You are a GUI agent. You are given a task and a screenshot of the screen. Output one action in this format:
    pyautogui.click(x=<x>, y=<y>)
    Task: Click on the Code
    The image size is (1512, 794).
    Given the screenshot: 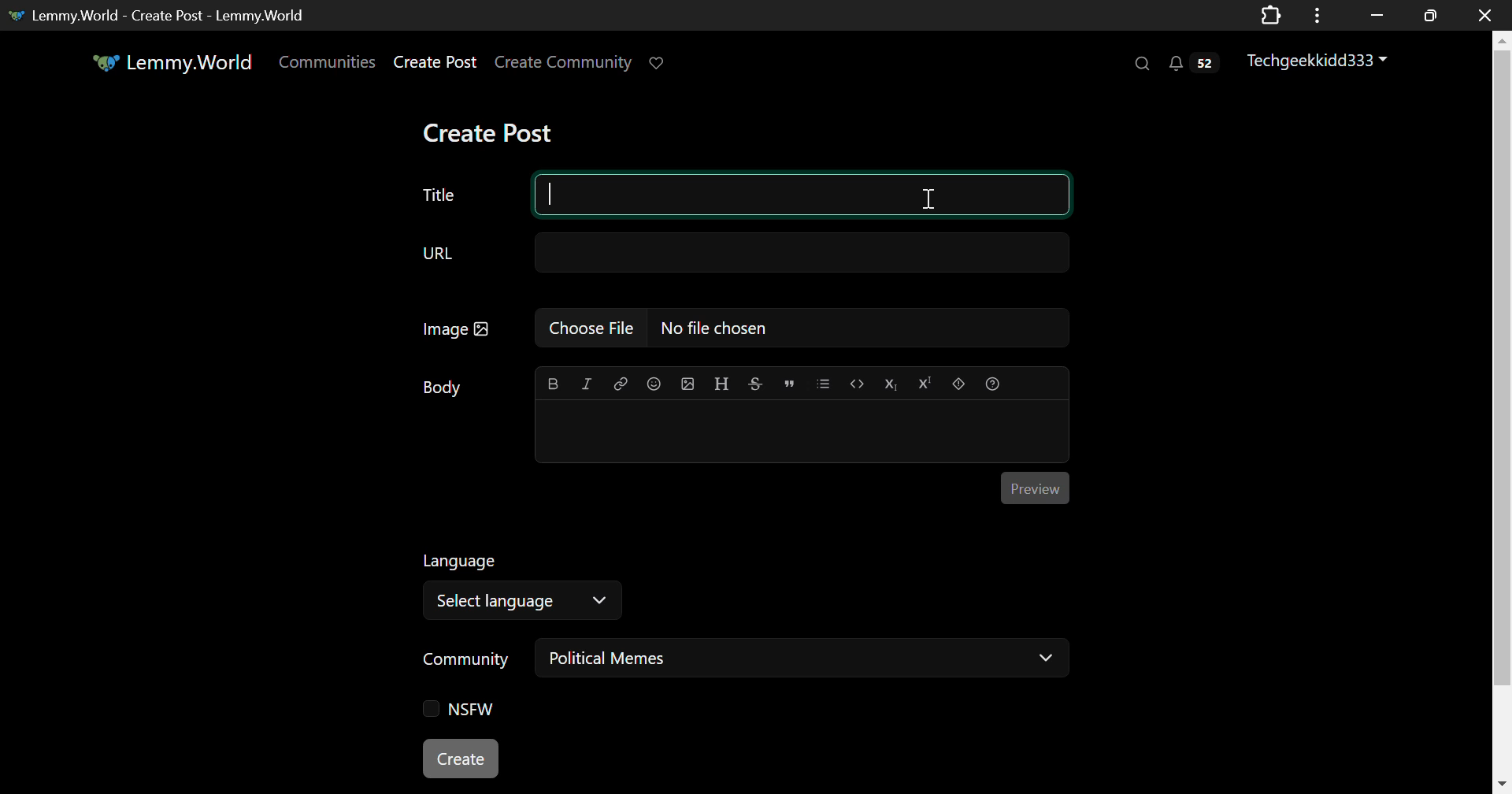 What is the action you would take?
    pyautogui.click(x=857, y=383)
    